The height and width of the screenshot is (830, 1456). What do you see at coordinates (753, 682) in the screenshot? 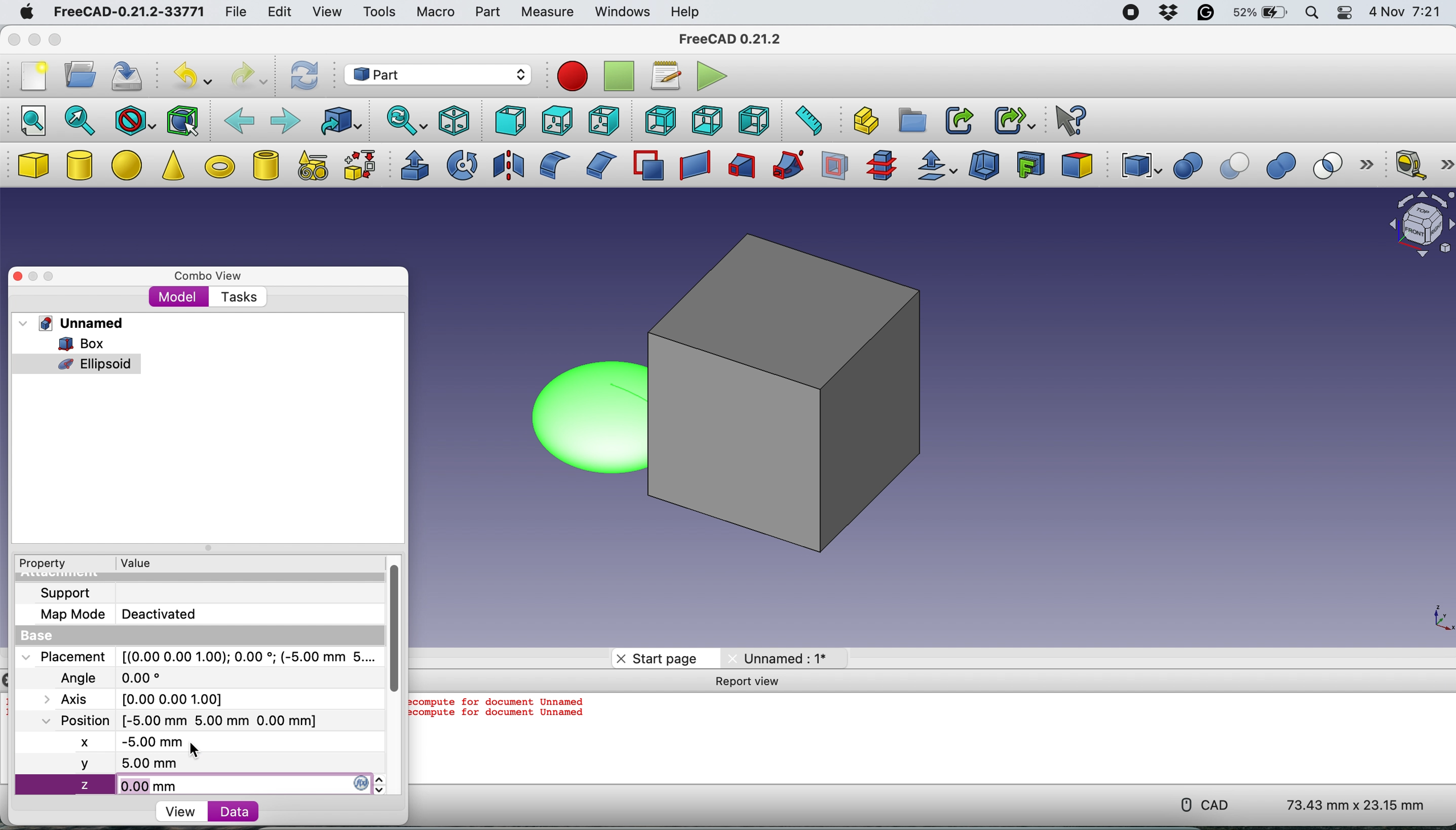
I see `Report View` at bounding box center [753, 682].